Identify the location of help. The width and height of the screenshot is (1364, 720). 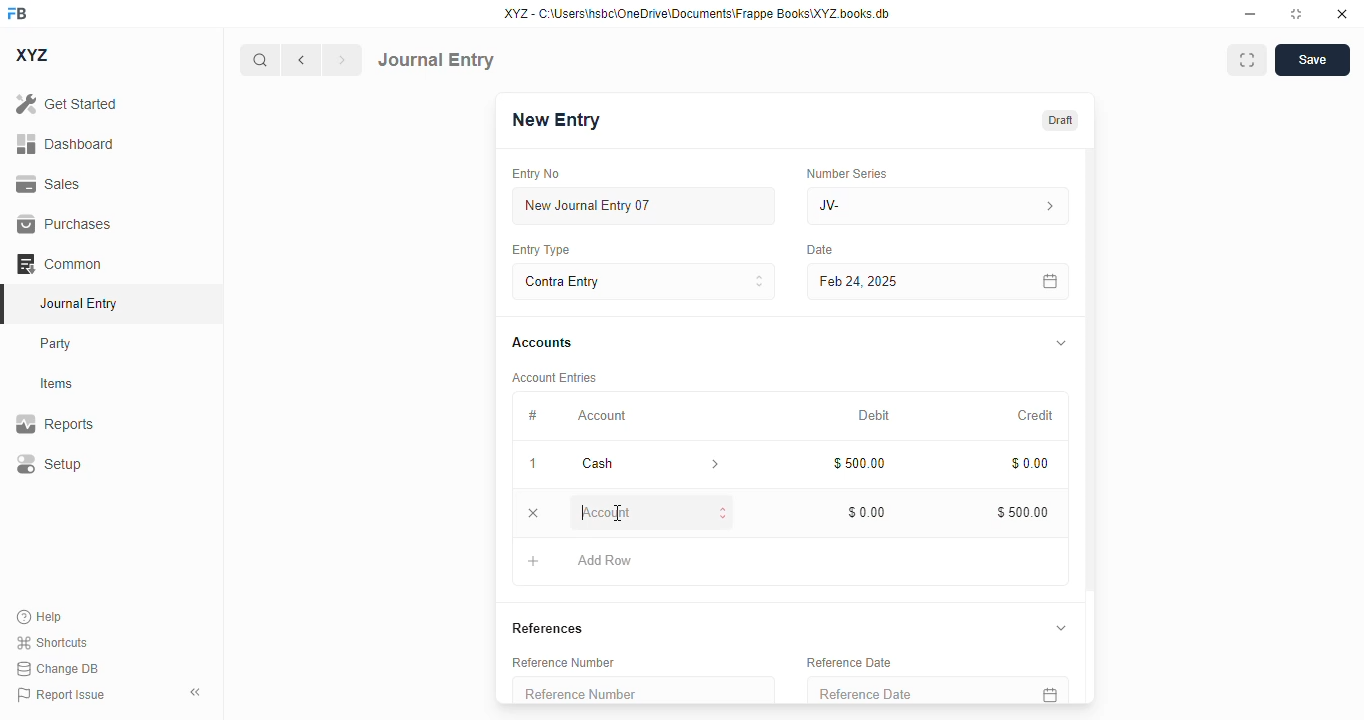
(40, 617).